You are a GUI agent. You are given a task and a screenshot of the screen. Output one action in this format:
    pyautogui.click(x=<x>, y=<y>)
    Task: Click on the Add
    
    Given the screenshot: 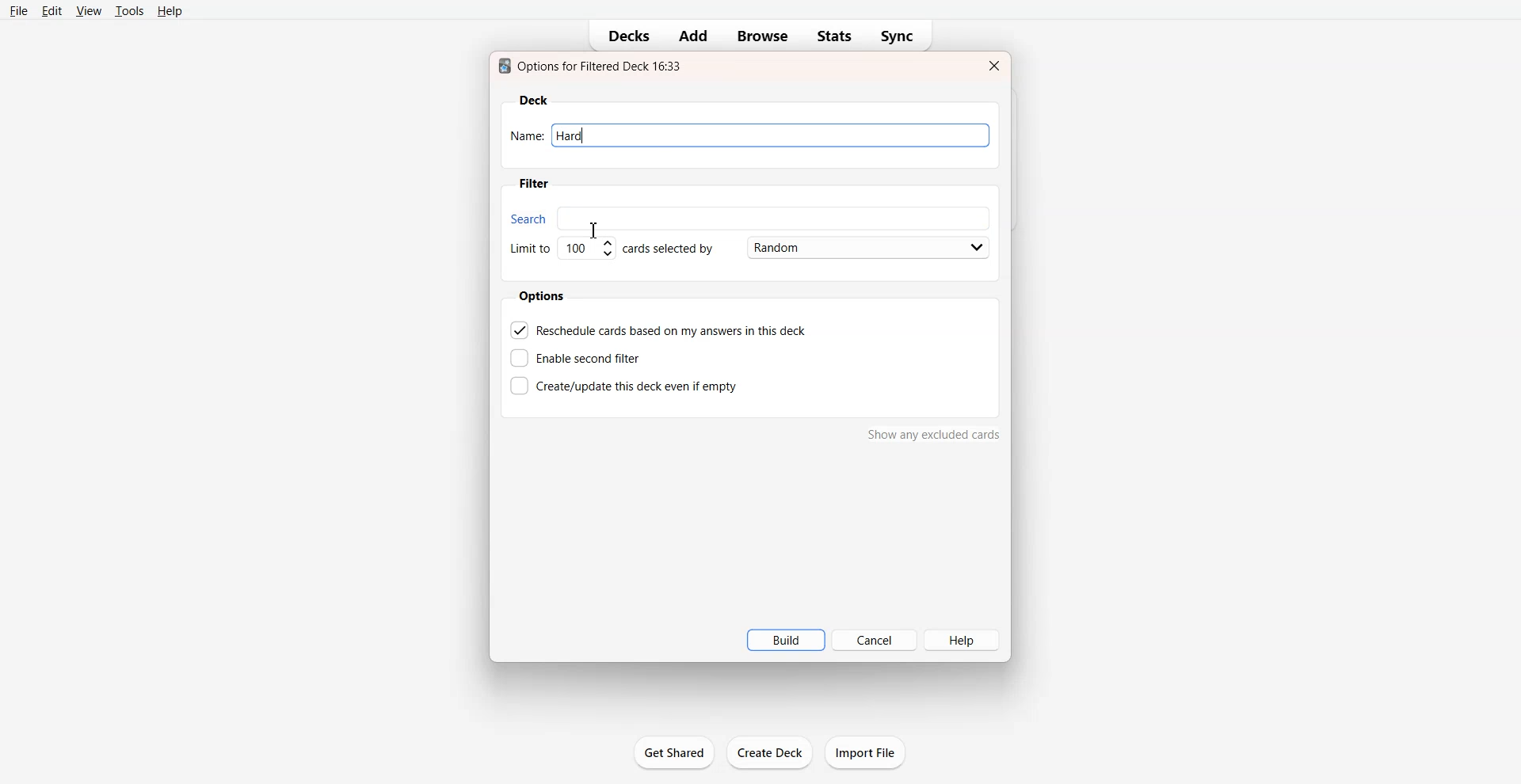 What is the action you would take?
    pyautogui.click(x=692, y=36)
    